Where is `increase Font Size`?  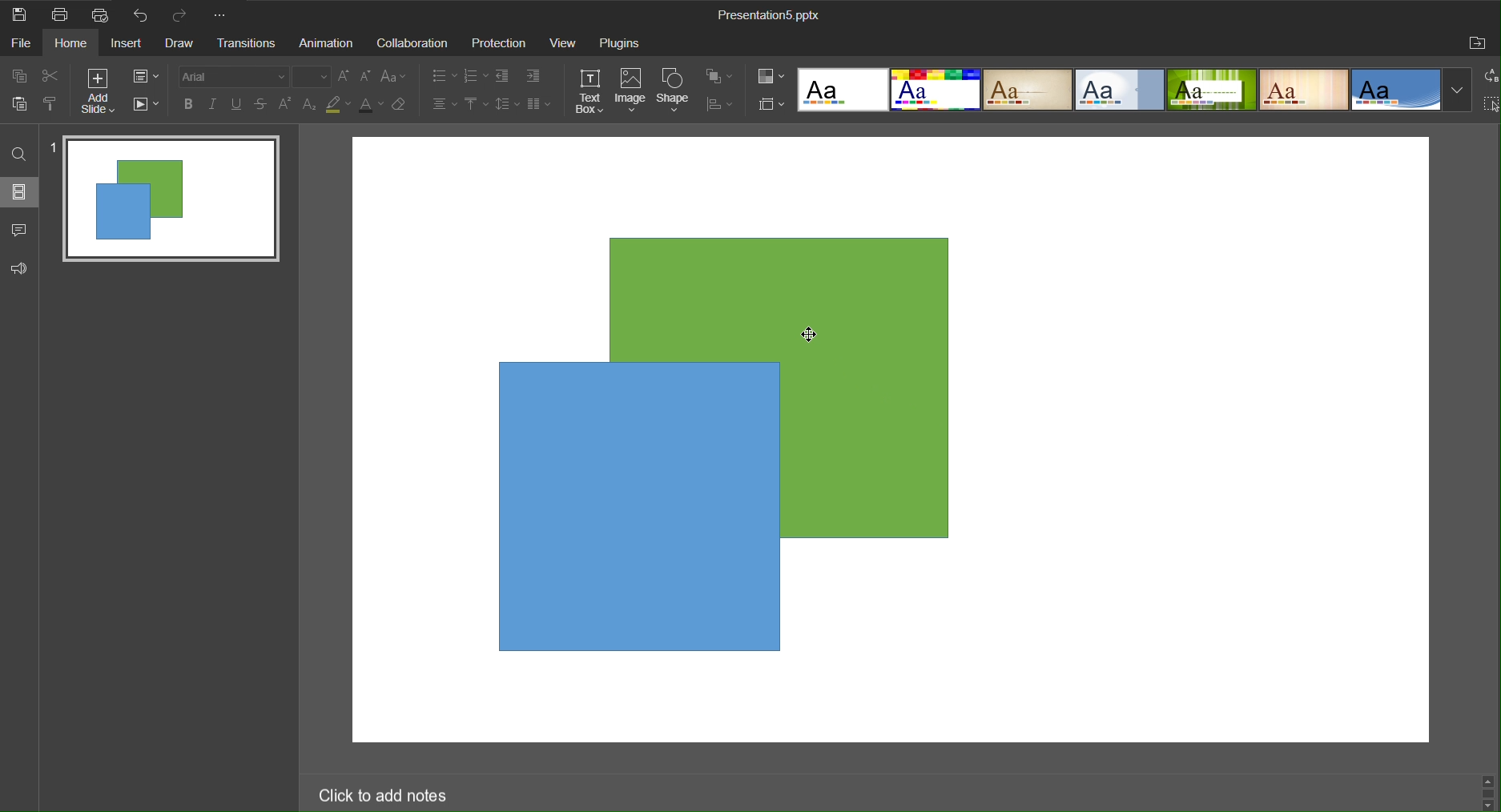
increase Font Size is located at coordinates (346, 78).